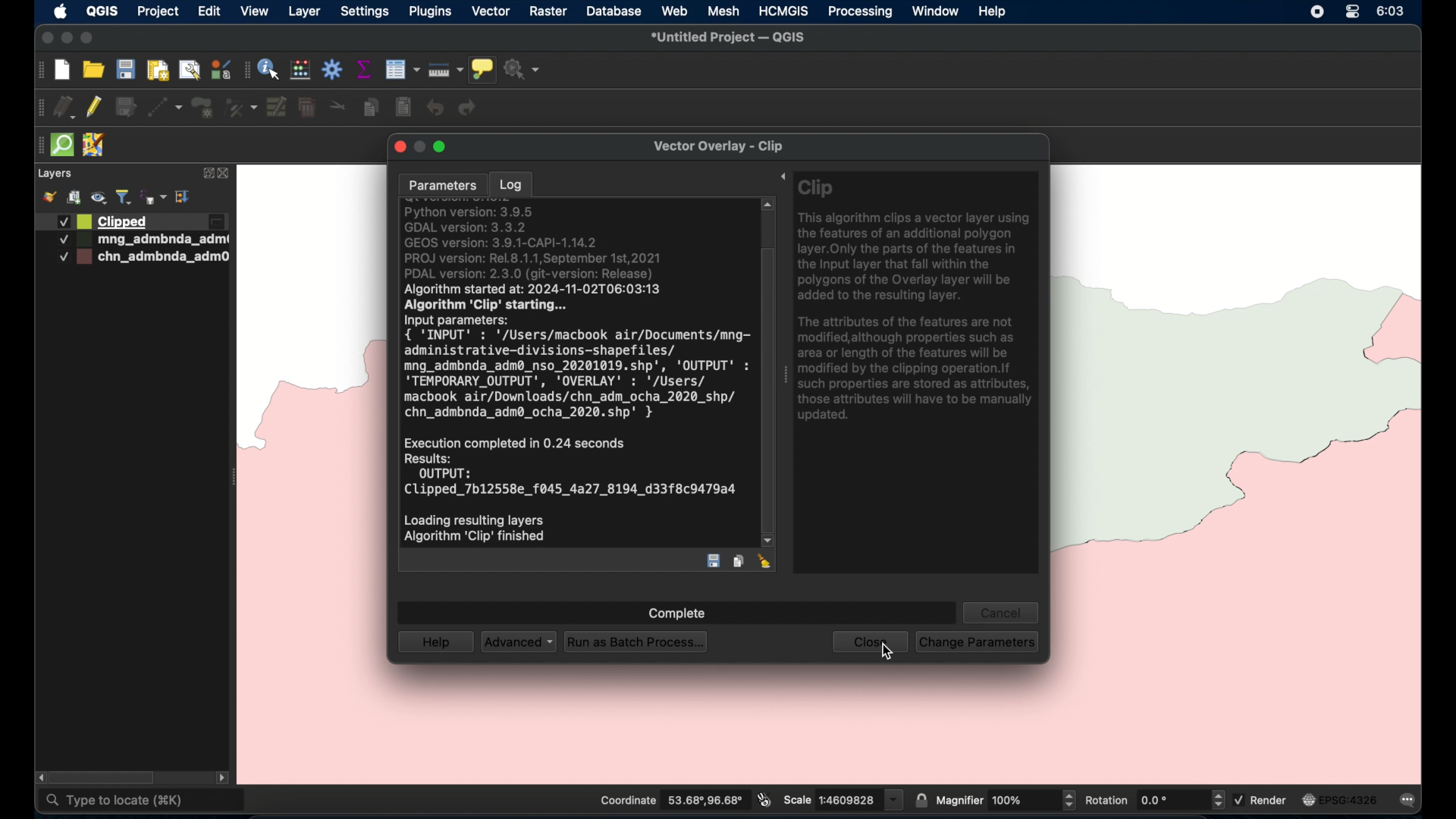 The height and width of the screenshot is (819, 1456). Describe the element at coordinates (510, 183) in the screenshot. I see `log tab` at that location.